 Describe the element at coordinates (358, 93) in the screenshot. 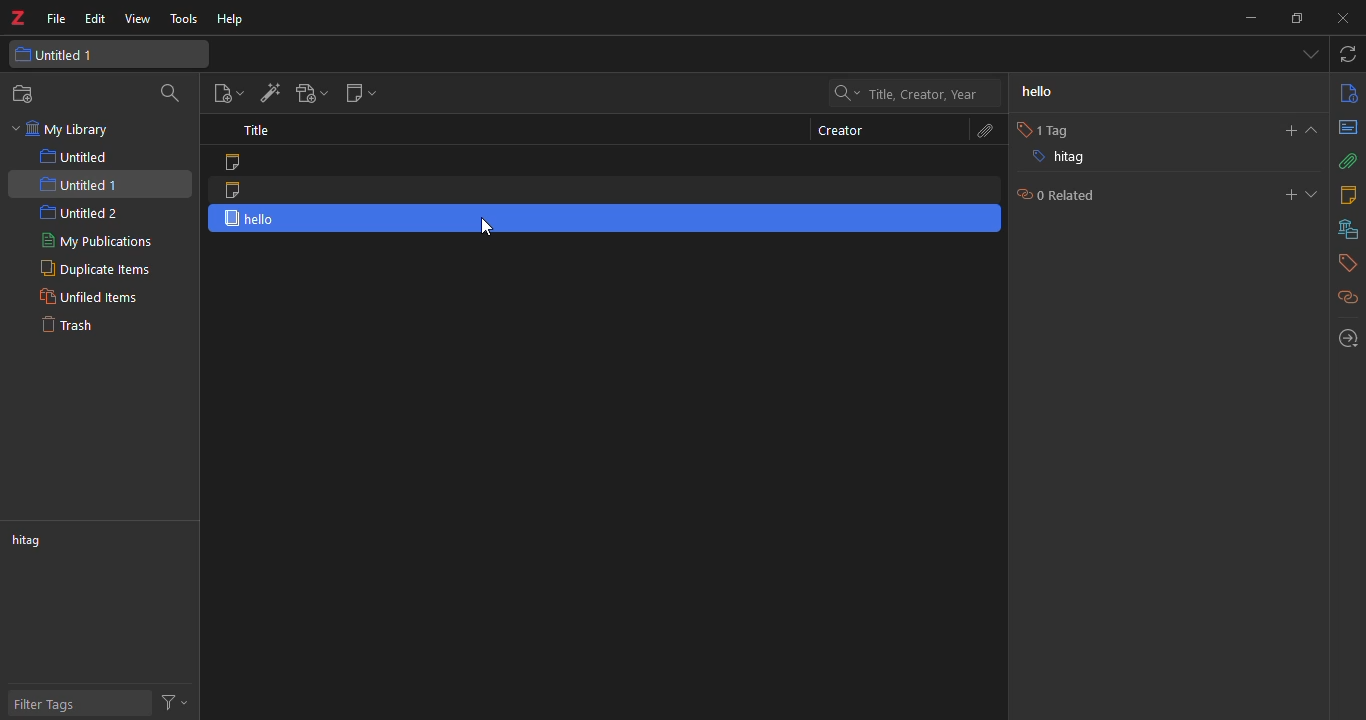

I see `new note` at that location.